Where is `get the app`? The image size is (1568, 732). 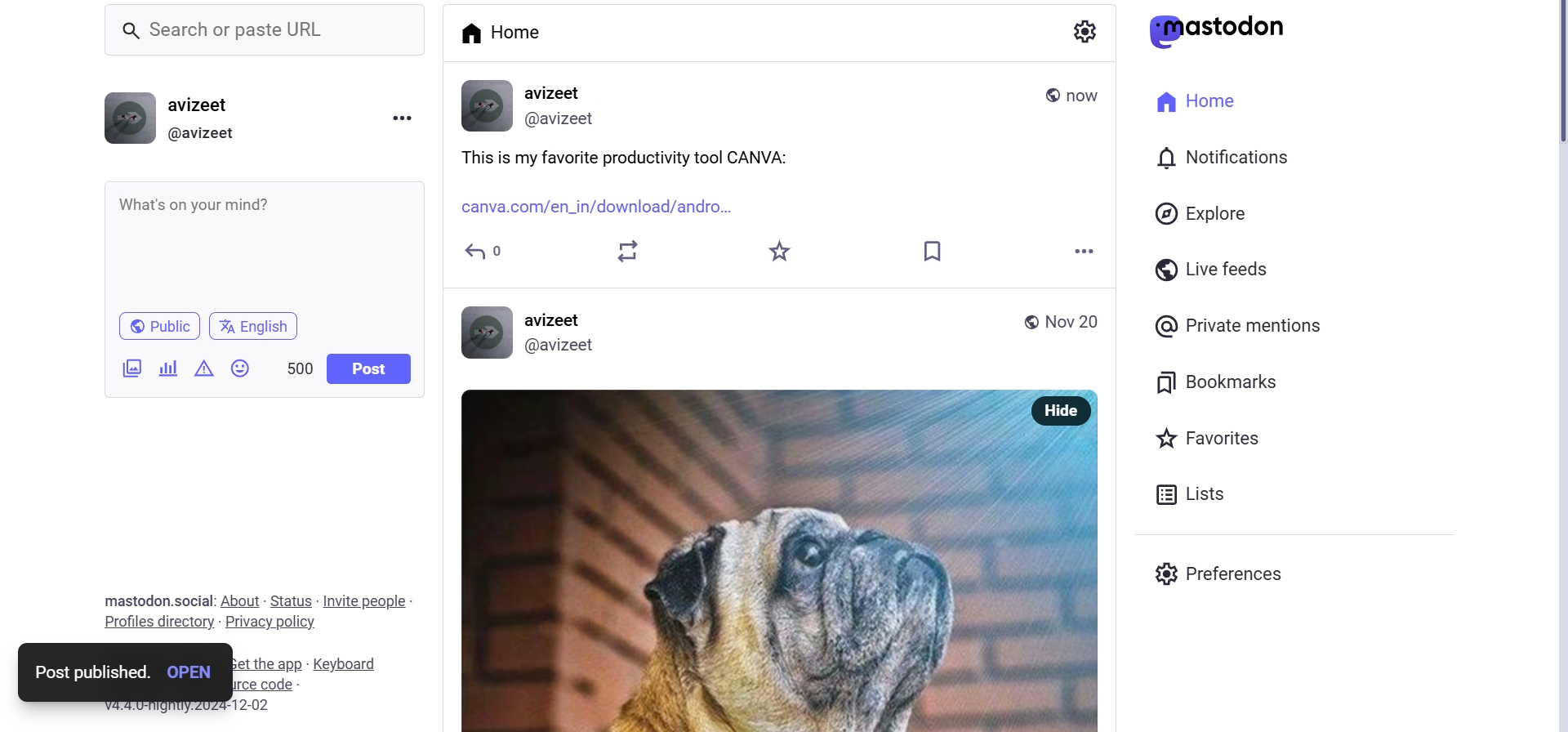 get the app is located at coordinates (269, 663).